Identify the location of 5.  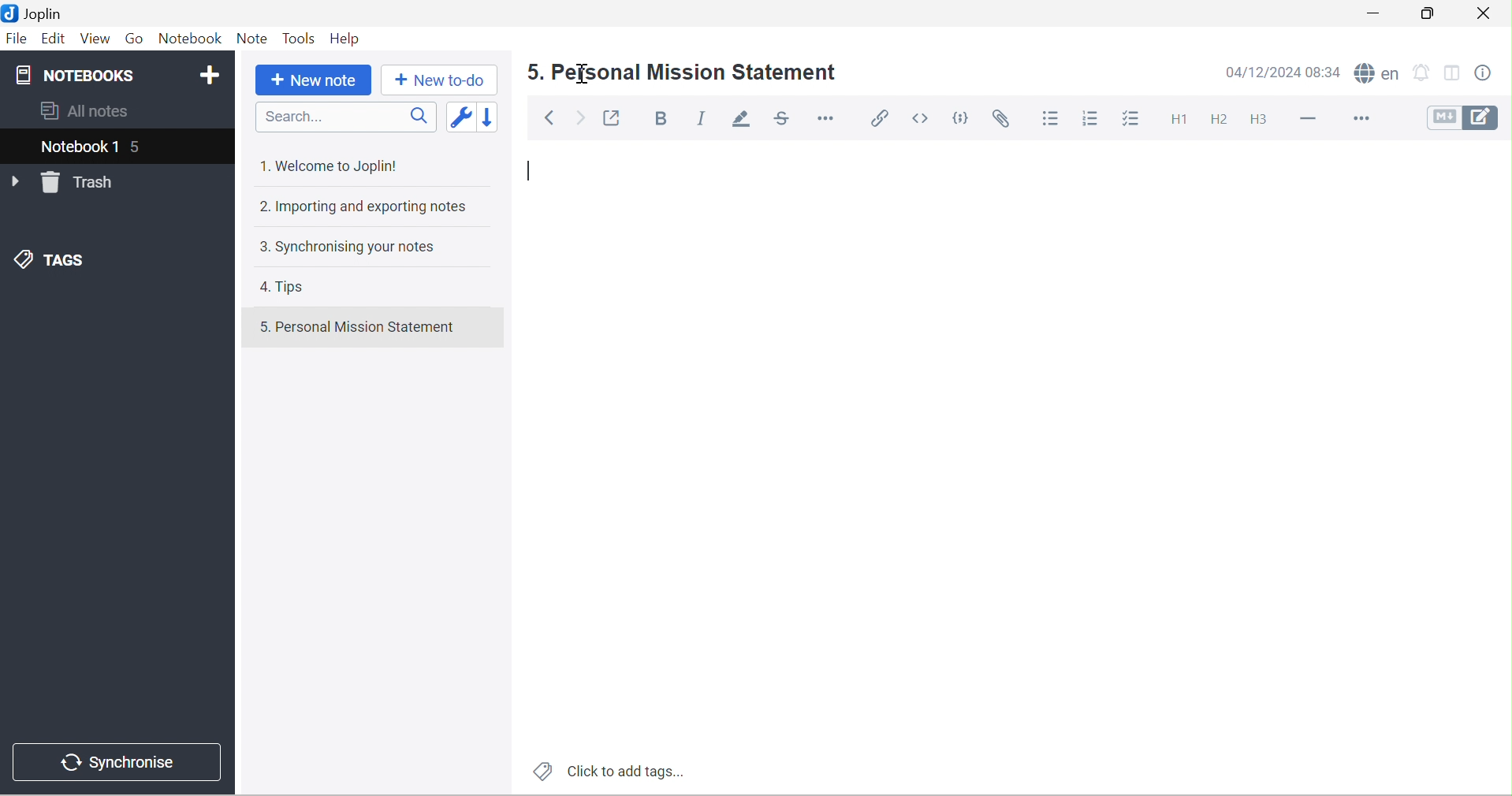
(137, 148).